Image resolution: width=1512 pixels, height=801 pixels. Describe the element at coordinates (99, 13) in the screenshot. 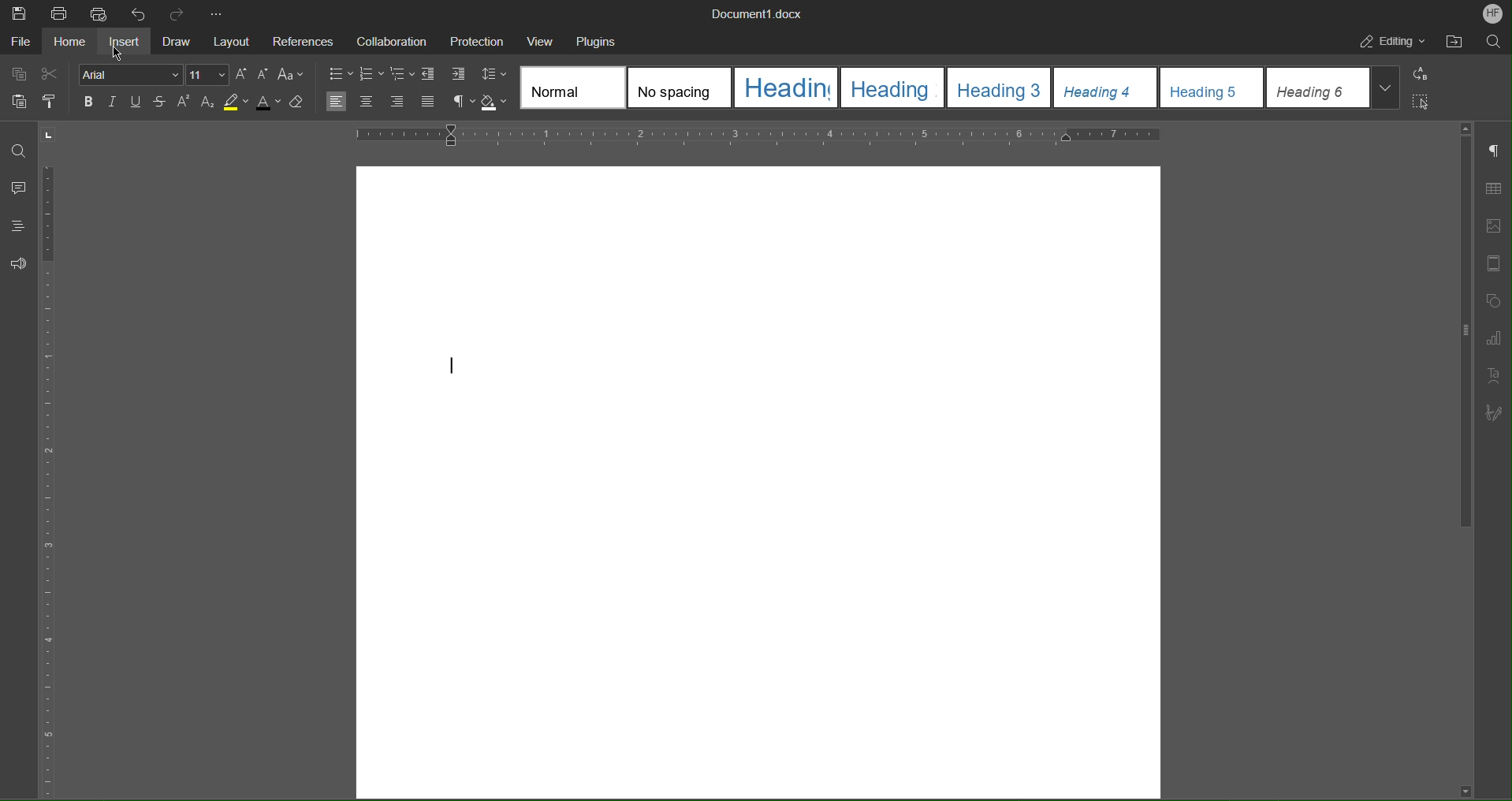

I see `Quick Print` at that location.